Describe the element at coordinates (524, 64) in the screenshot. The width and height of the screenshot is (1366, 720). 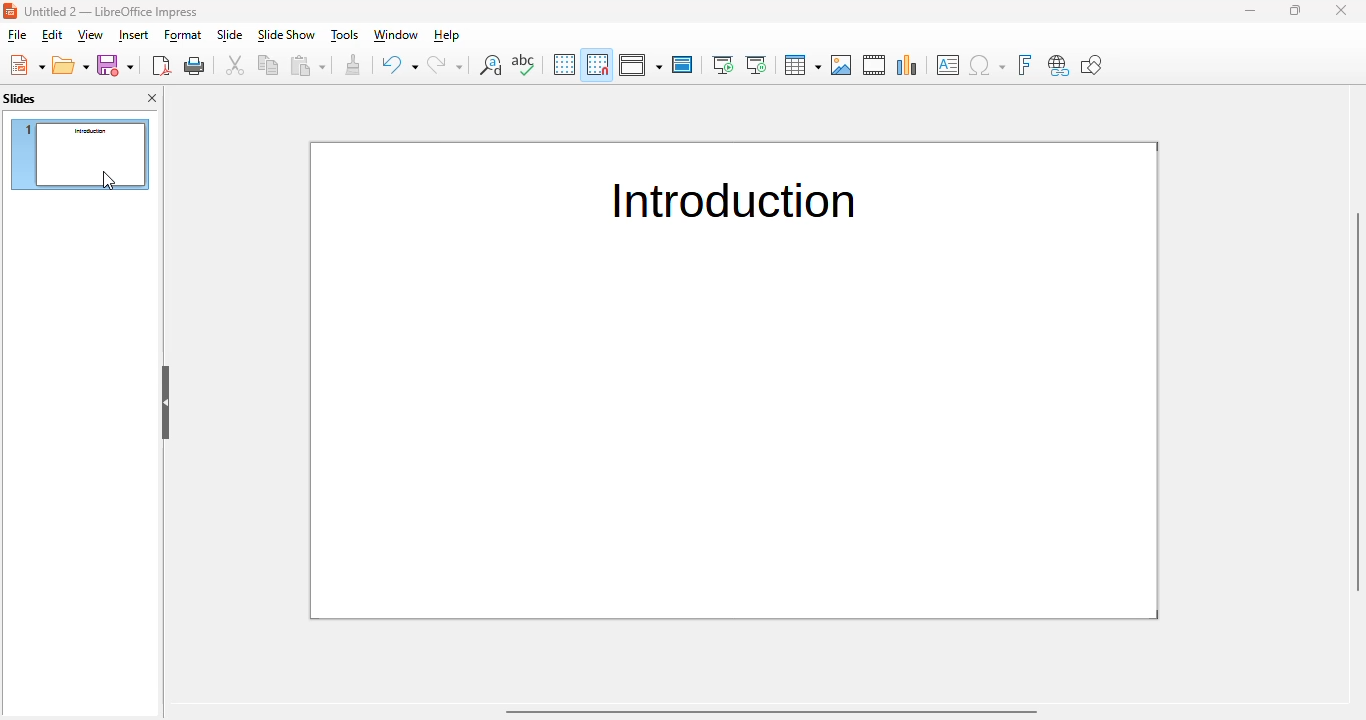
I see `spelling` at that location.